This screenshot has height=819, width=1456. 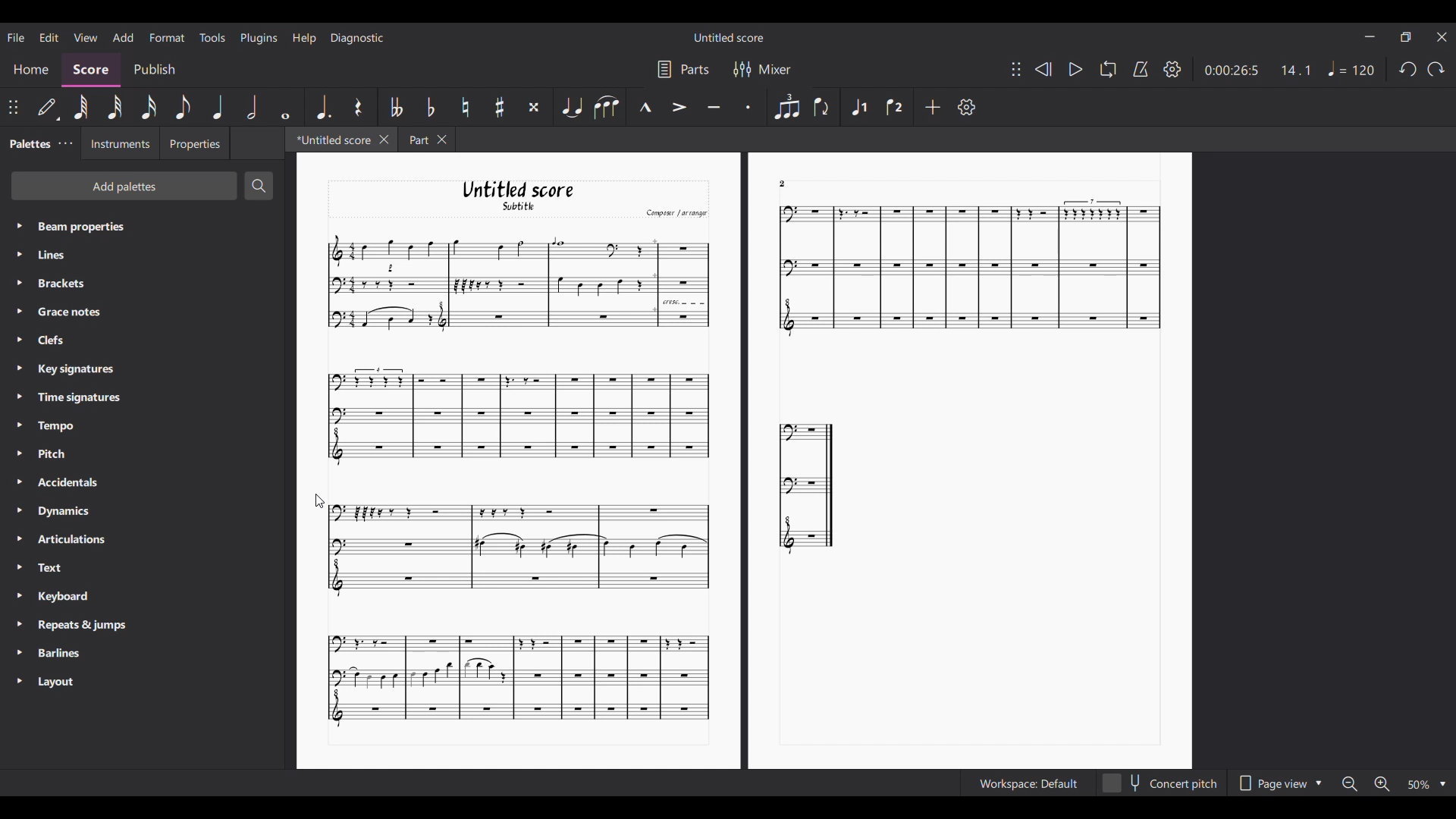 I want to click on Rest, so click(x=360, y=107).